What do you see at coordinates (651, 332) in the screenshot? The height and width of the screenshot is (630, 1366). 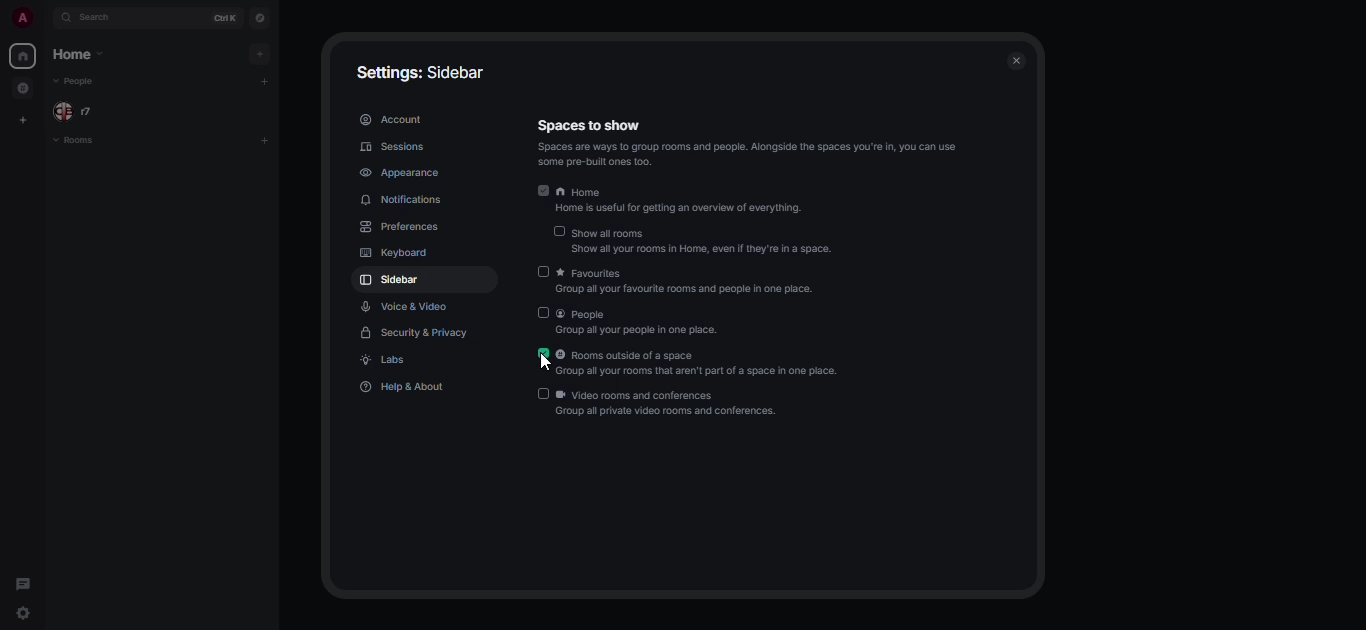 I see `Group all your people in one place.` at bounding box center [651, 332].